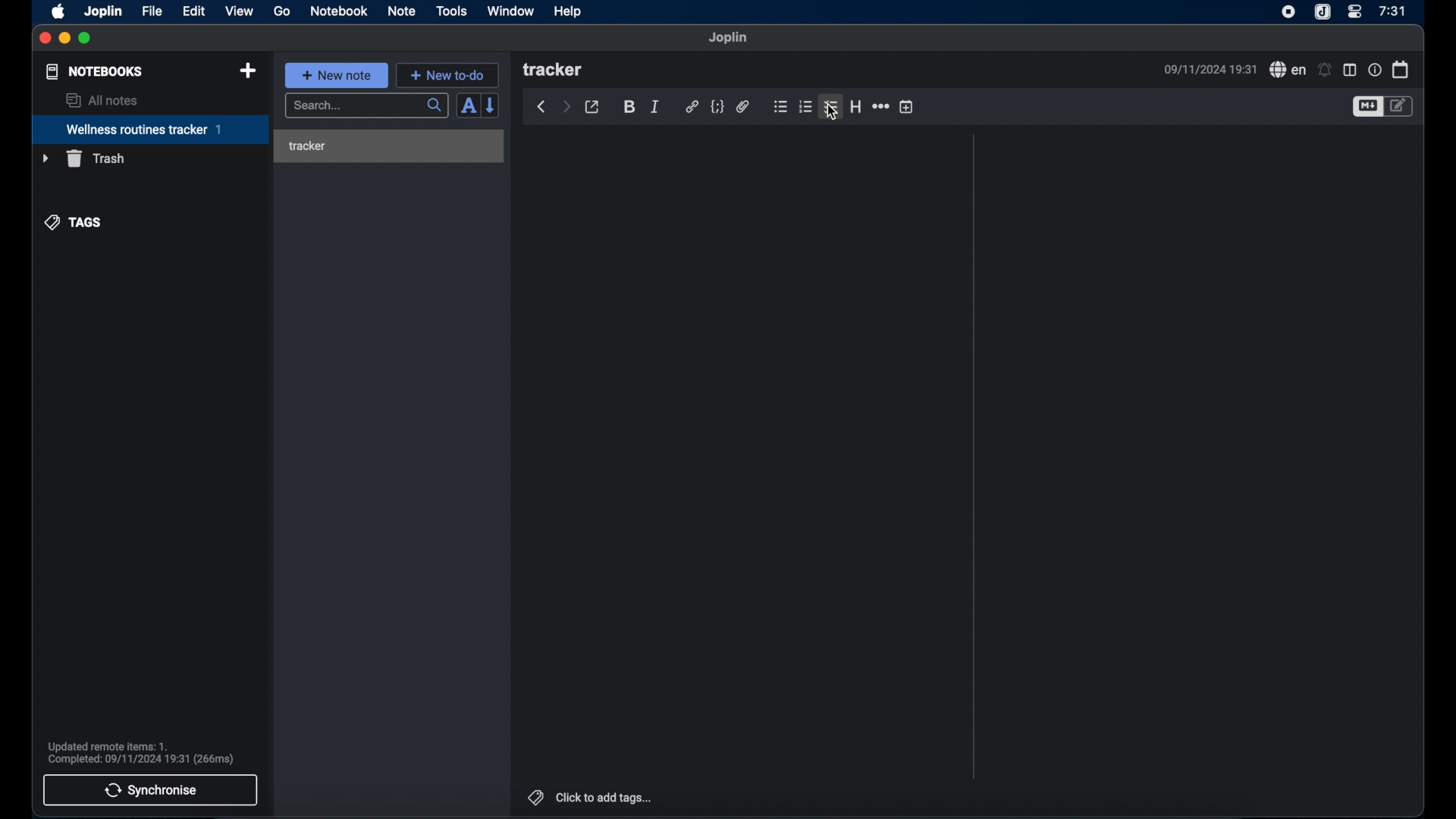 Image resolution: width=1456 pixels, height=819 pixels. What do you see at coordinates (833, 111) in the screenshot?
I see `cursor` at bounding box center [833, 111].